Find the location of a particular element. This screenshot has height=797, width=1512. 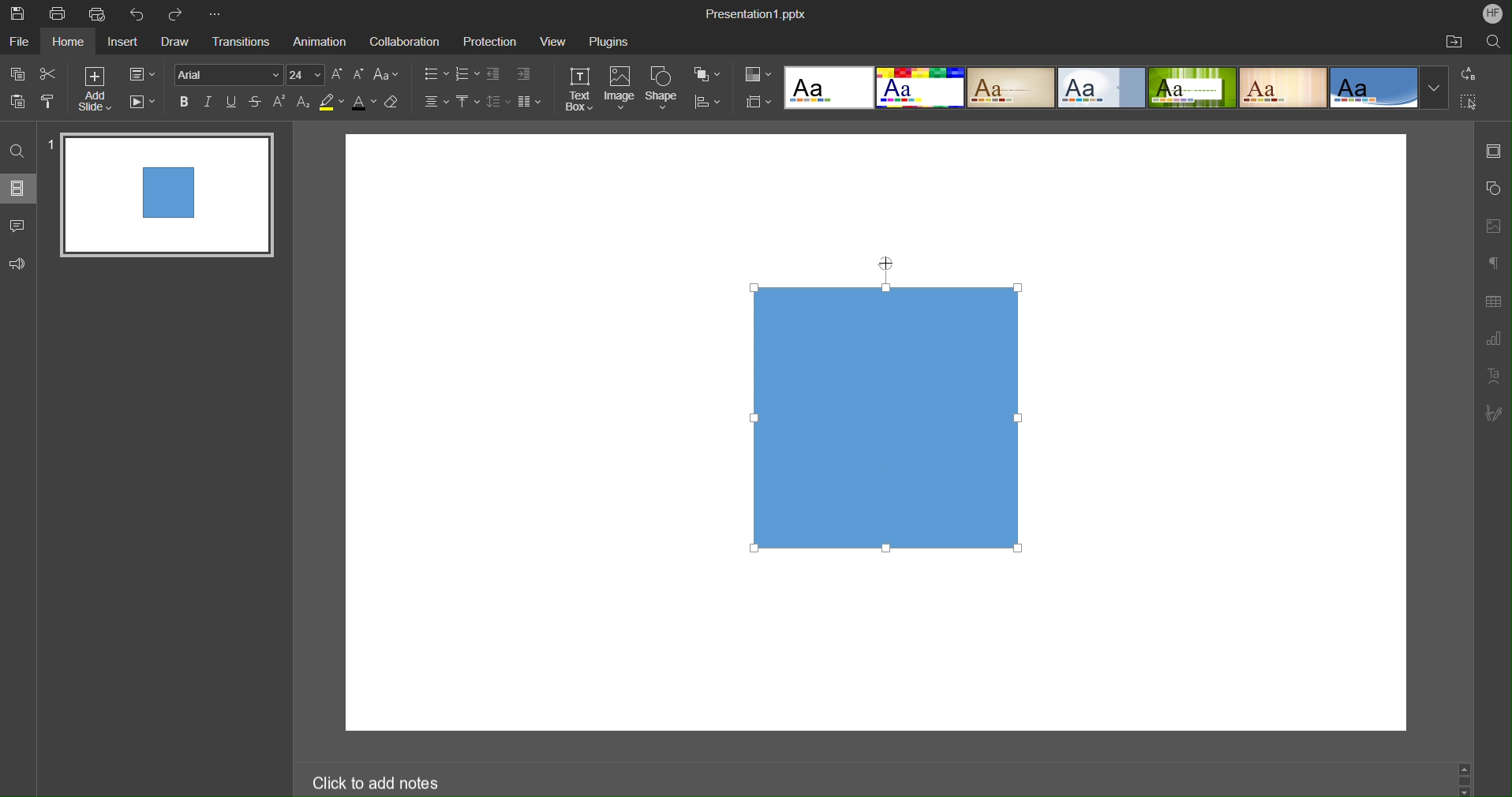

Copy Style is located at coordinates (47, 102).